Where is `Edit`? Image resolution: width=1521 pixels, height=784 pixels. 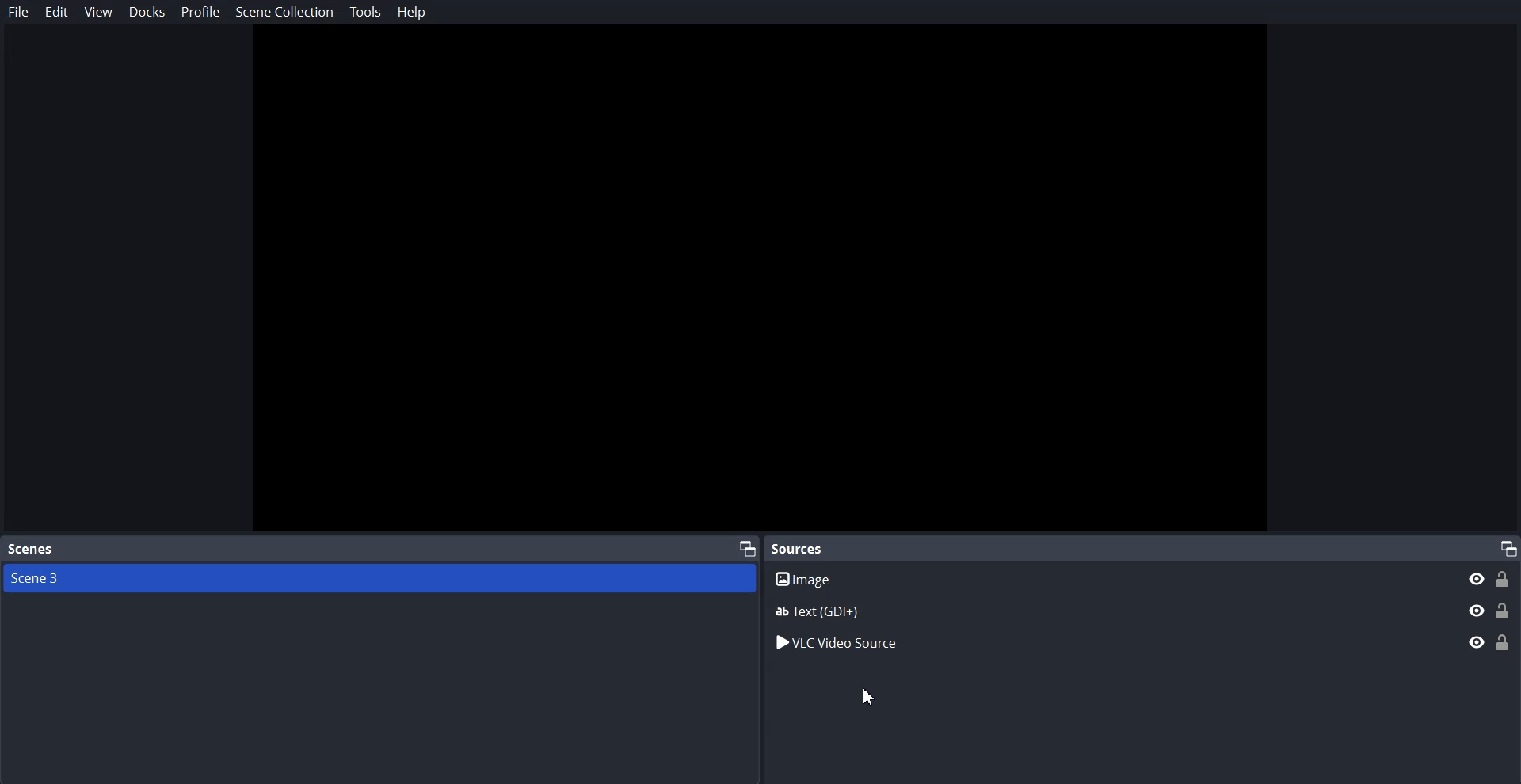
Edit is located at coordinates (57, 12).